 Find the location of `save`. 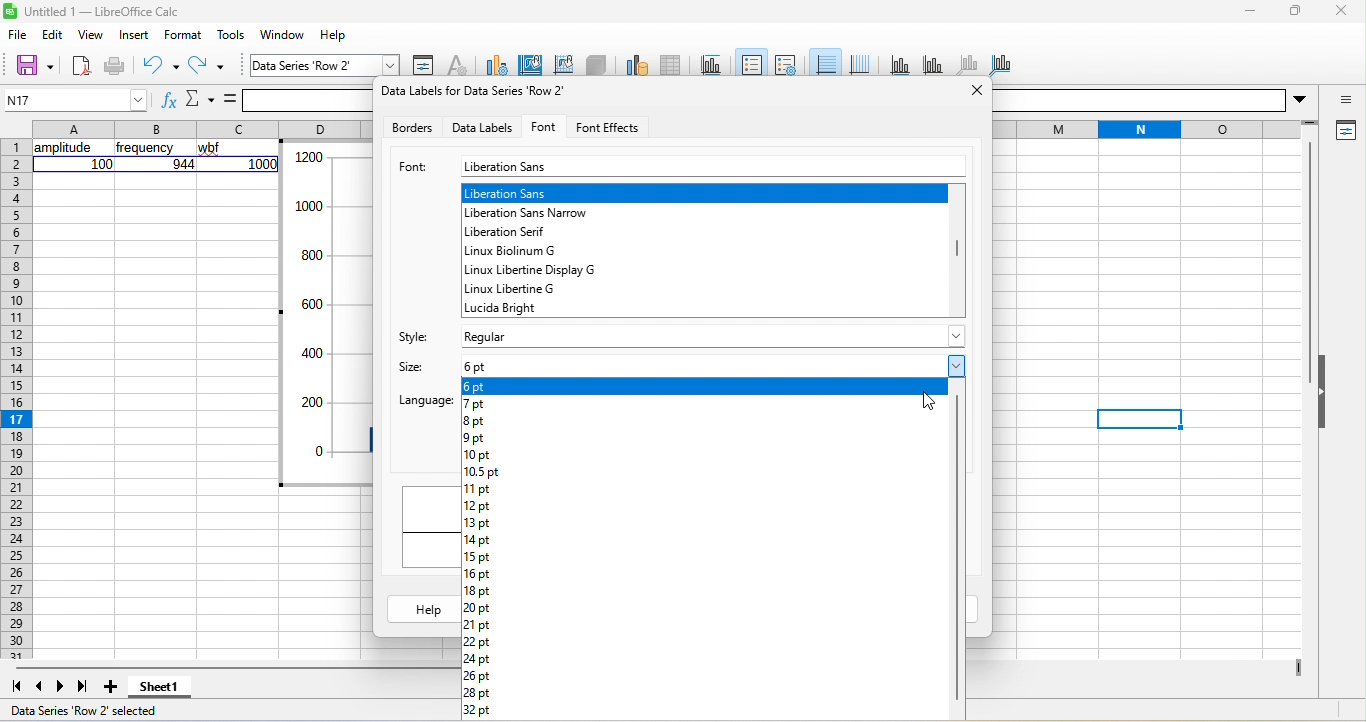

save is located at coordinates (27, 65).